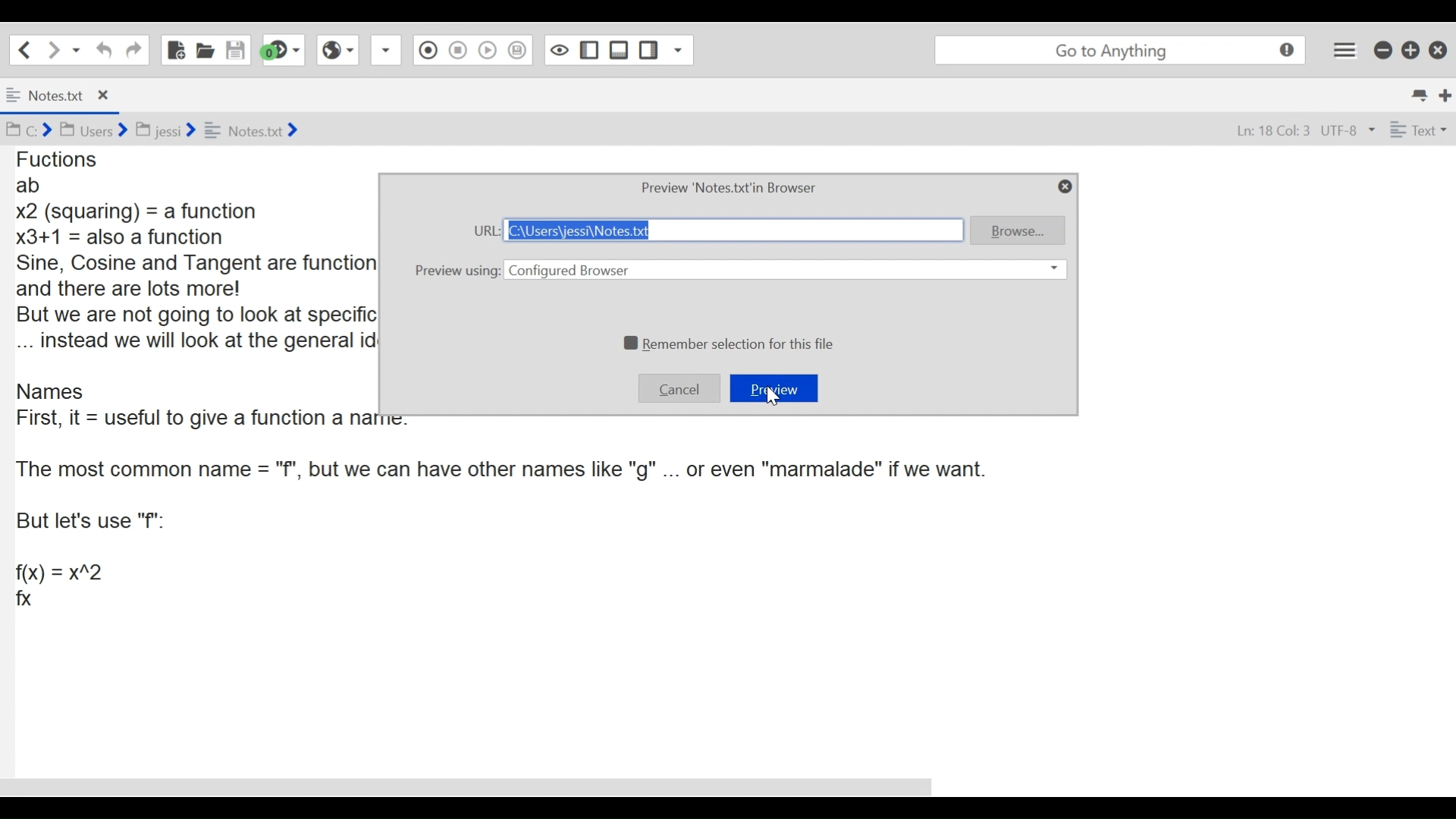  Describe the element at coordinates (647, 51) in the screenshot. I see `Show/hide Right Pane` at that location.